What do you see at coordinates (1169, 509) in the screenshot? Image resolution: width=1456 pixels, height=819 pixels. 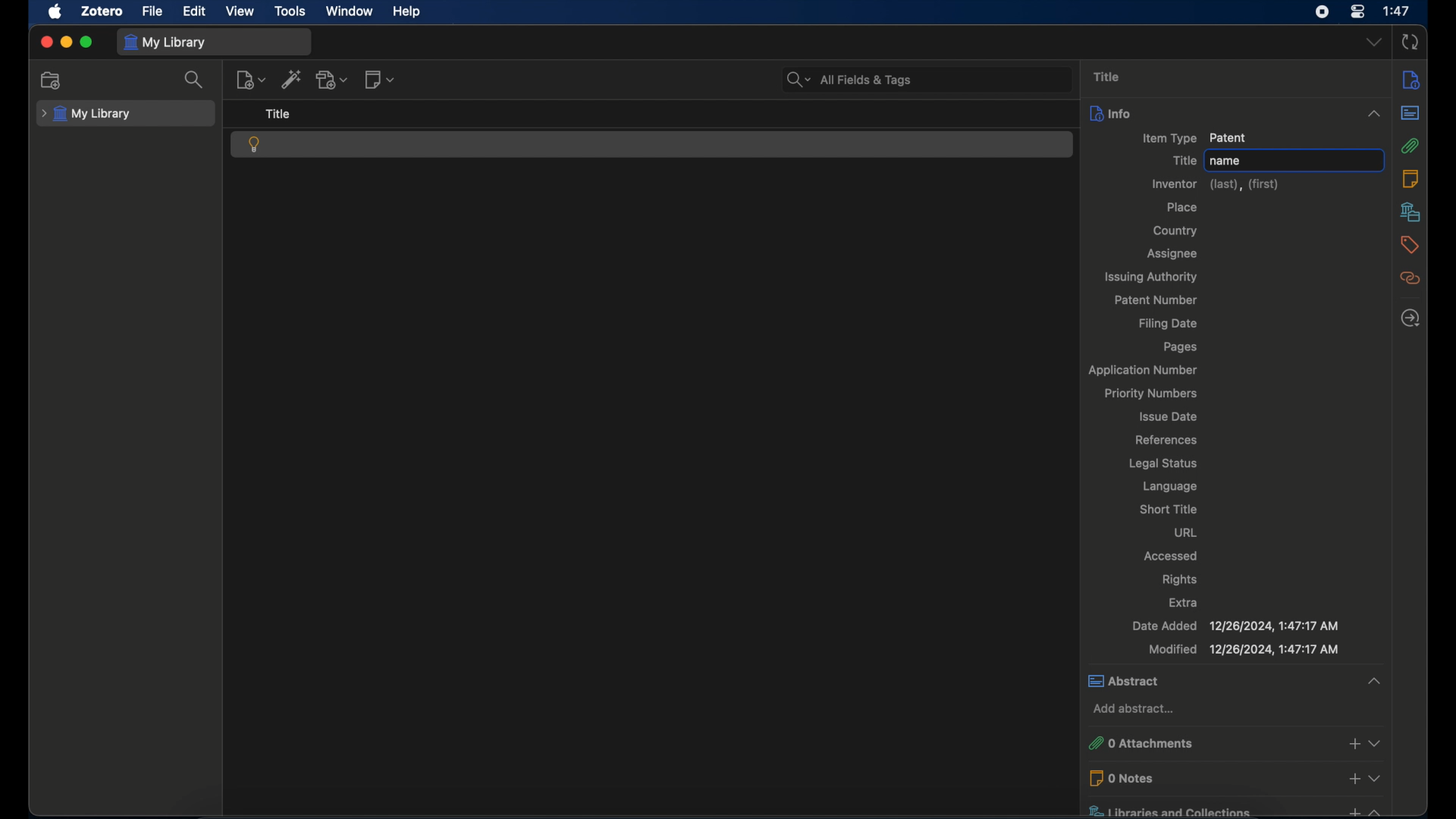 I see `short title` at bounding box center [1169, 509].